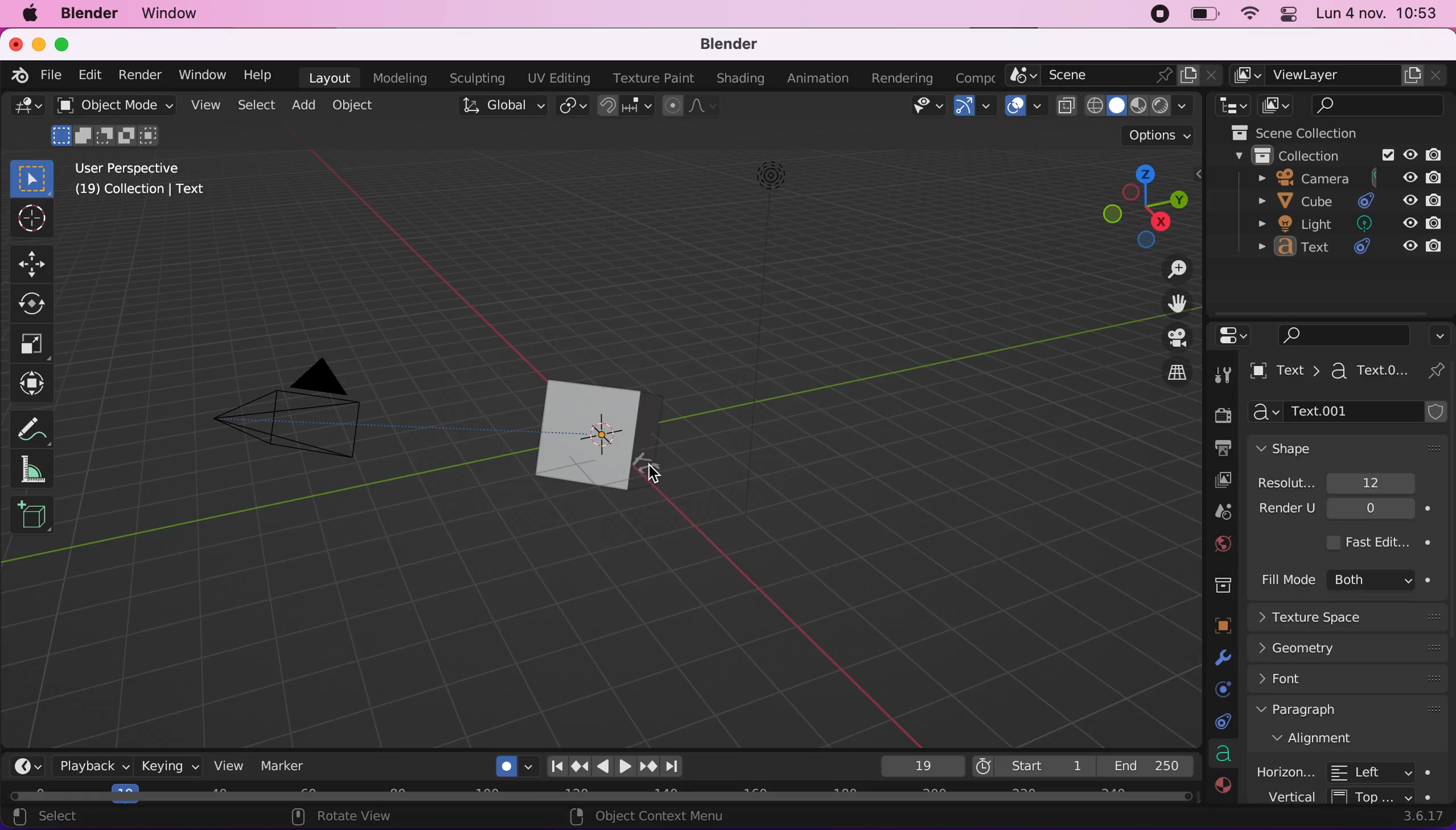 The width and height of the screenshot is (1456, 830). I want to click on file, so click(52, 74).